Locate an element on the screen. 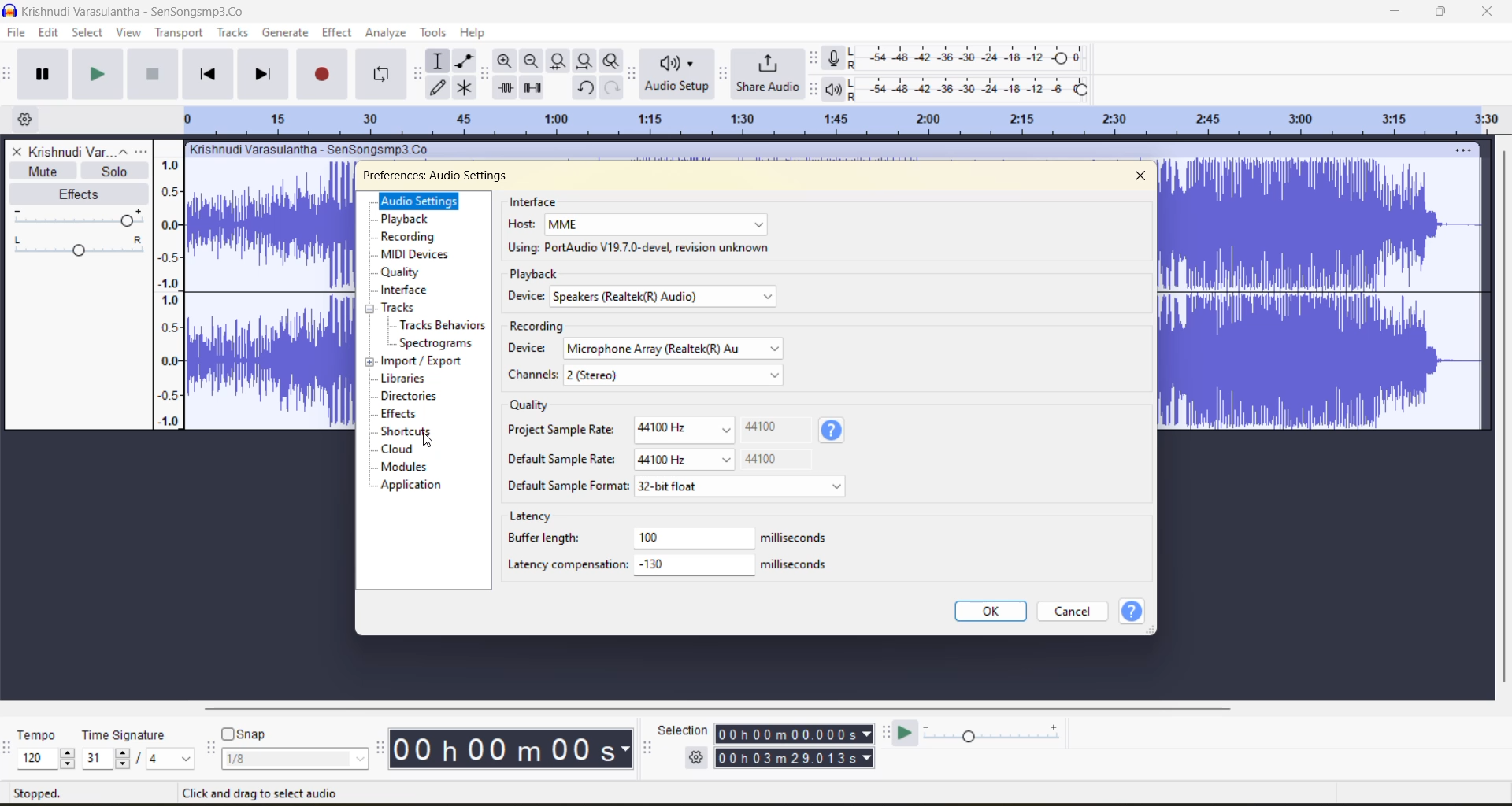 This screenshot has height=806, width=1512. selection tool bar is located at coordinates (648, 747).